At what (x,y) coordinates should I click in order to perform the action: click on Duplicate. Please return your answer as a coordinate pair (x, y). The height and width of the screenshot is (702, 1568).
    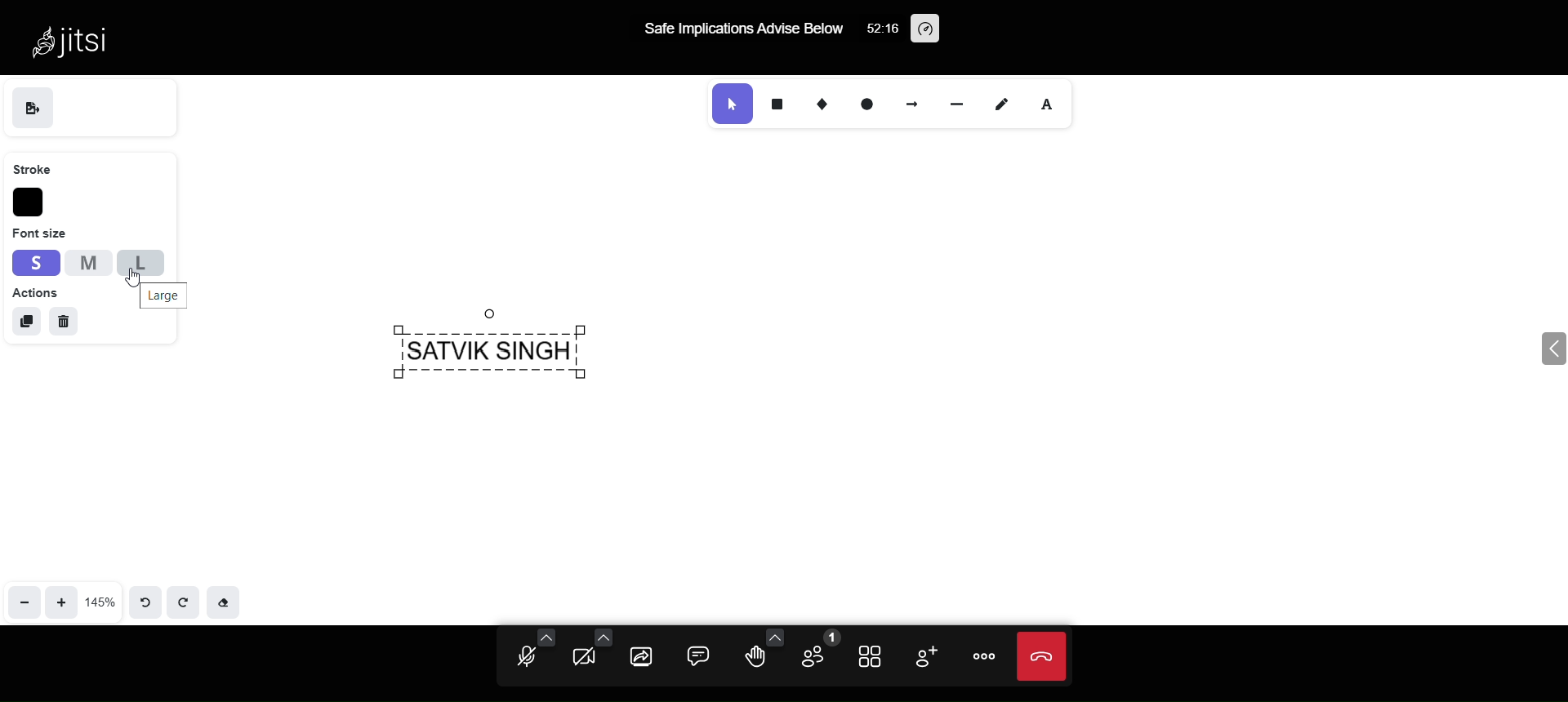
    Looking at the image, I should click on (24, 319).